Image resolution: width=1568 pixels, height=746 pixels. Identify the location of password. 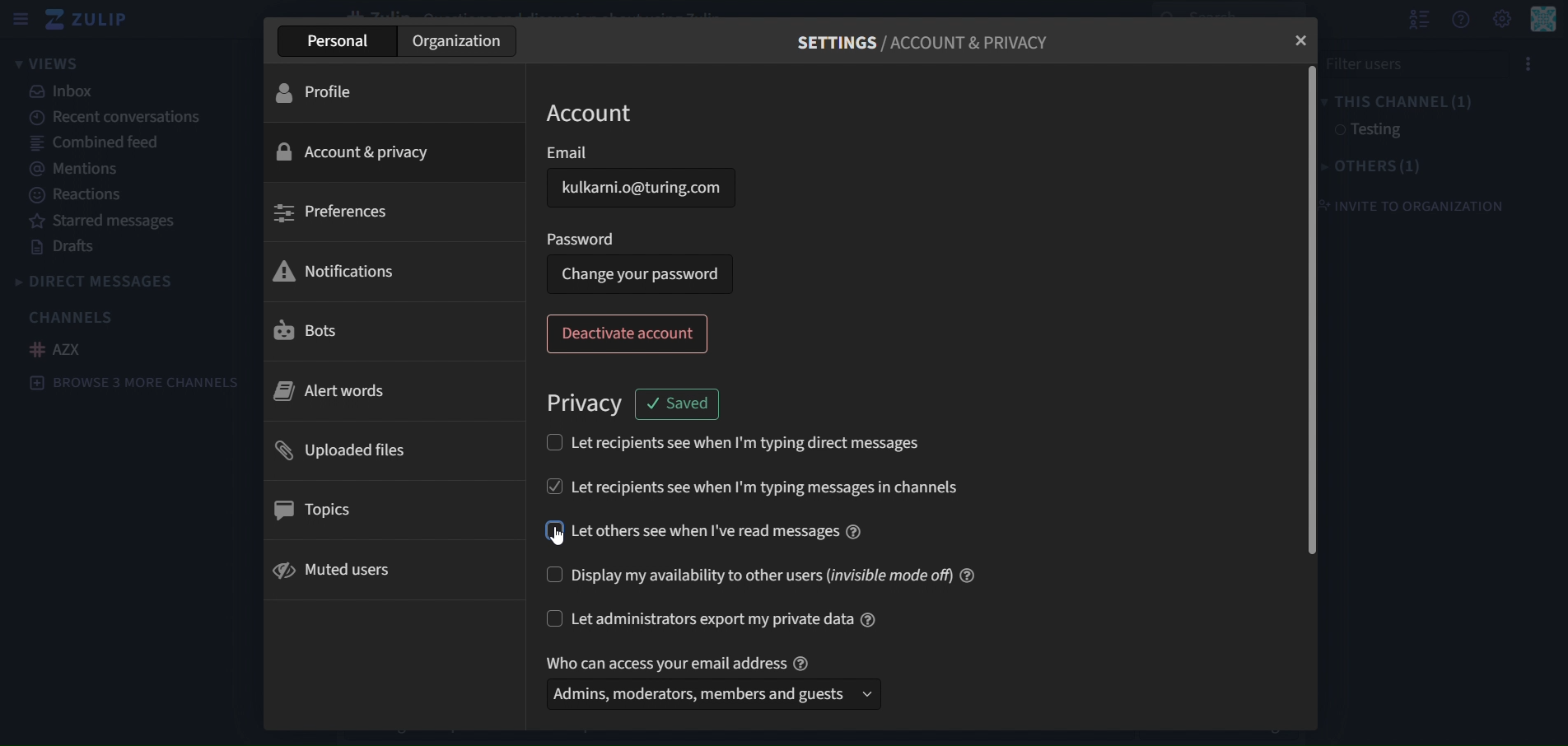
(585, 237).